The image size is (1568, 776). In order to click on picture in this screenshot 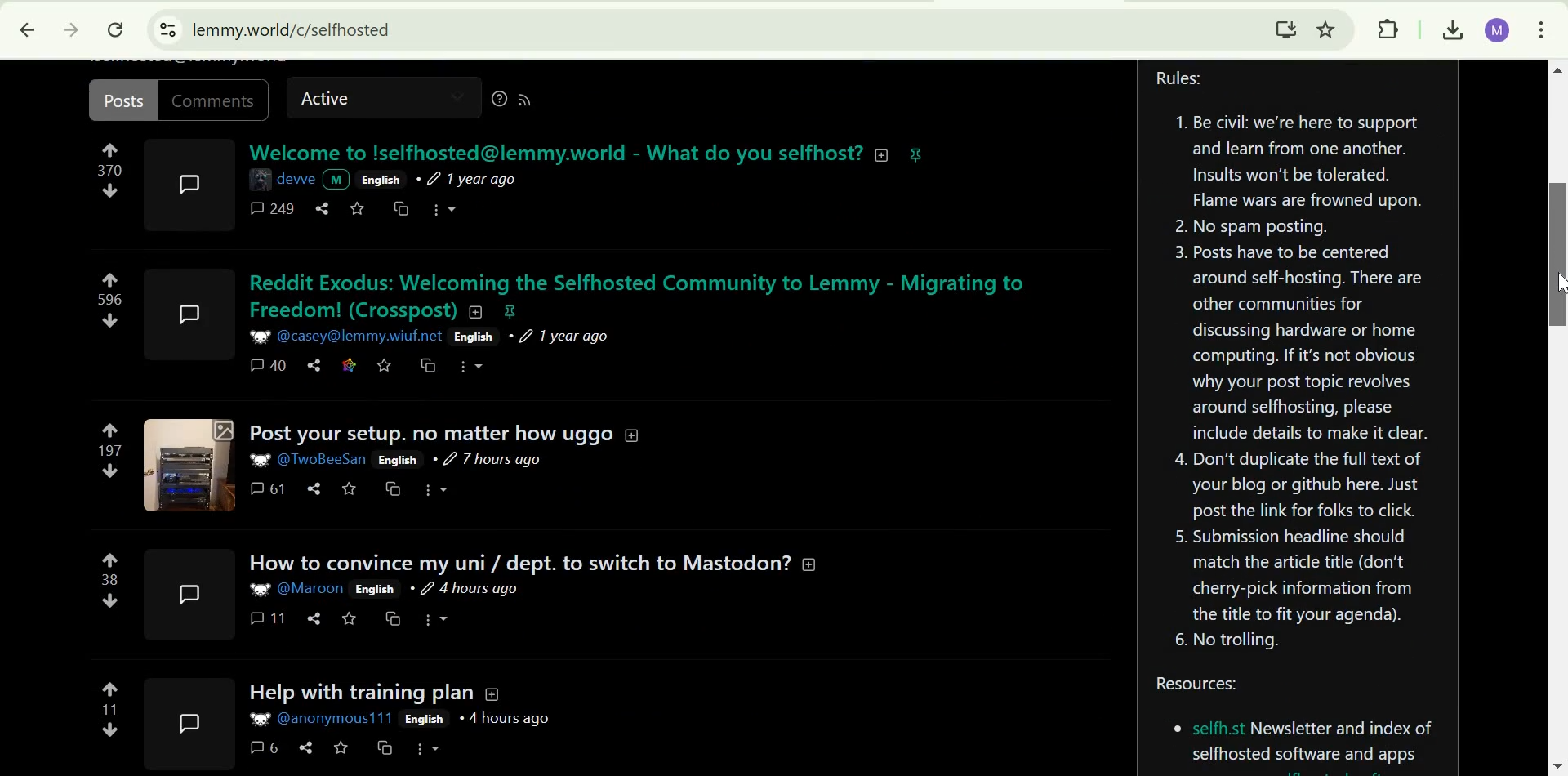, I will do `click(257, 590)`.